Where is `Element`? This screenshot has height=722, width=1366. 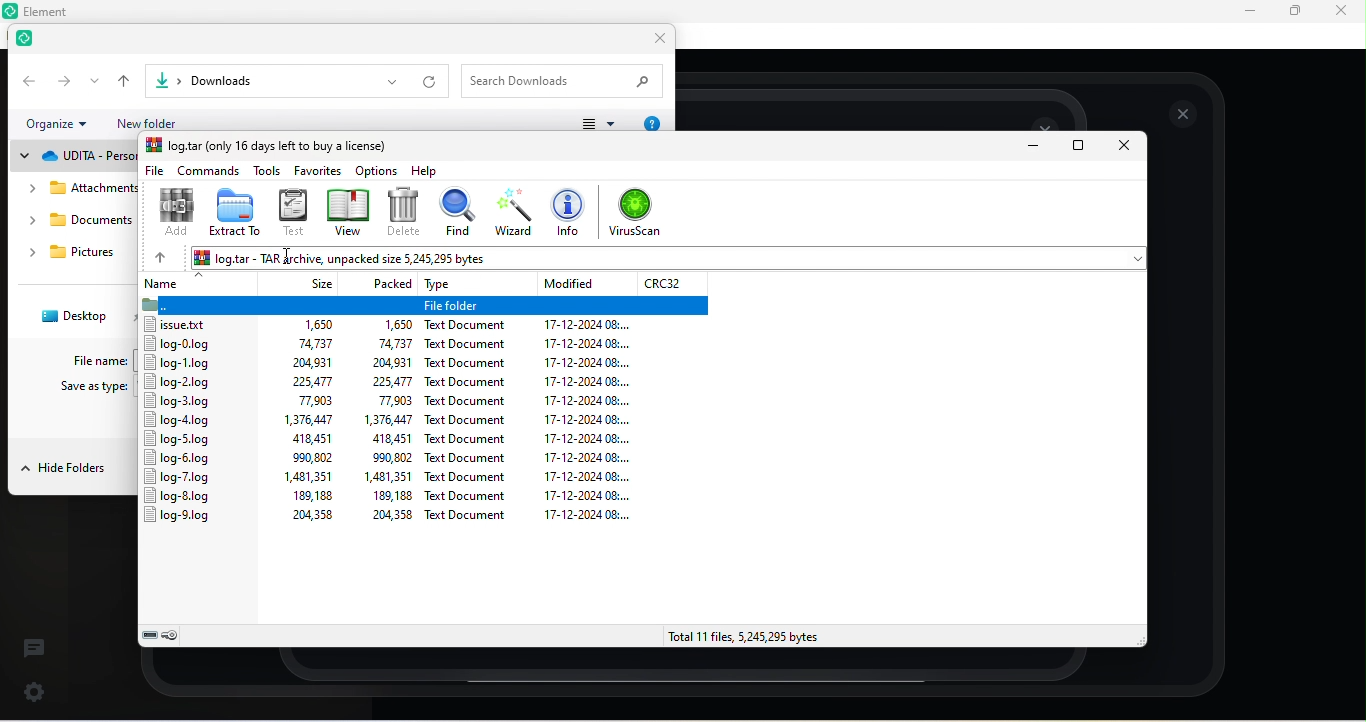
Element is located at coordinates (54, 11).